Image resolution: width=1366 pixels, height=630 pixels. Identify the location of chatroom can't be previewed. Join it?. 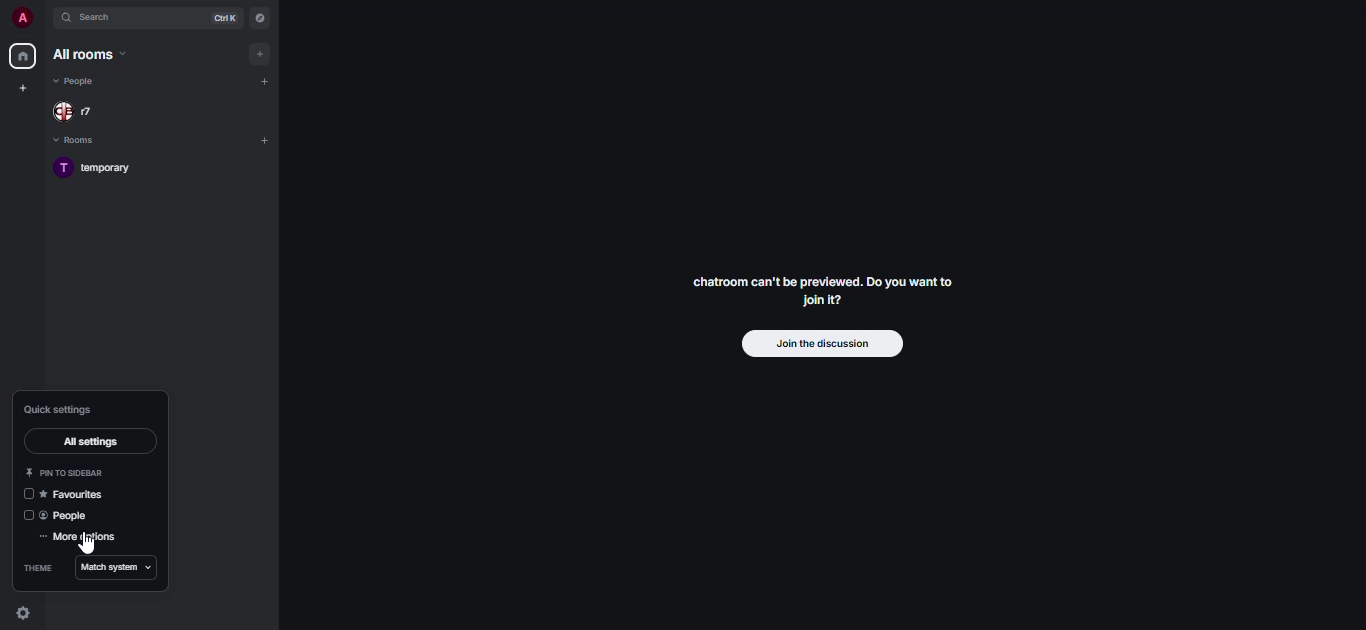
(820, 289).